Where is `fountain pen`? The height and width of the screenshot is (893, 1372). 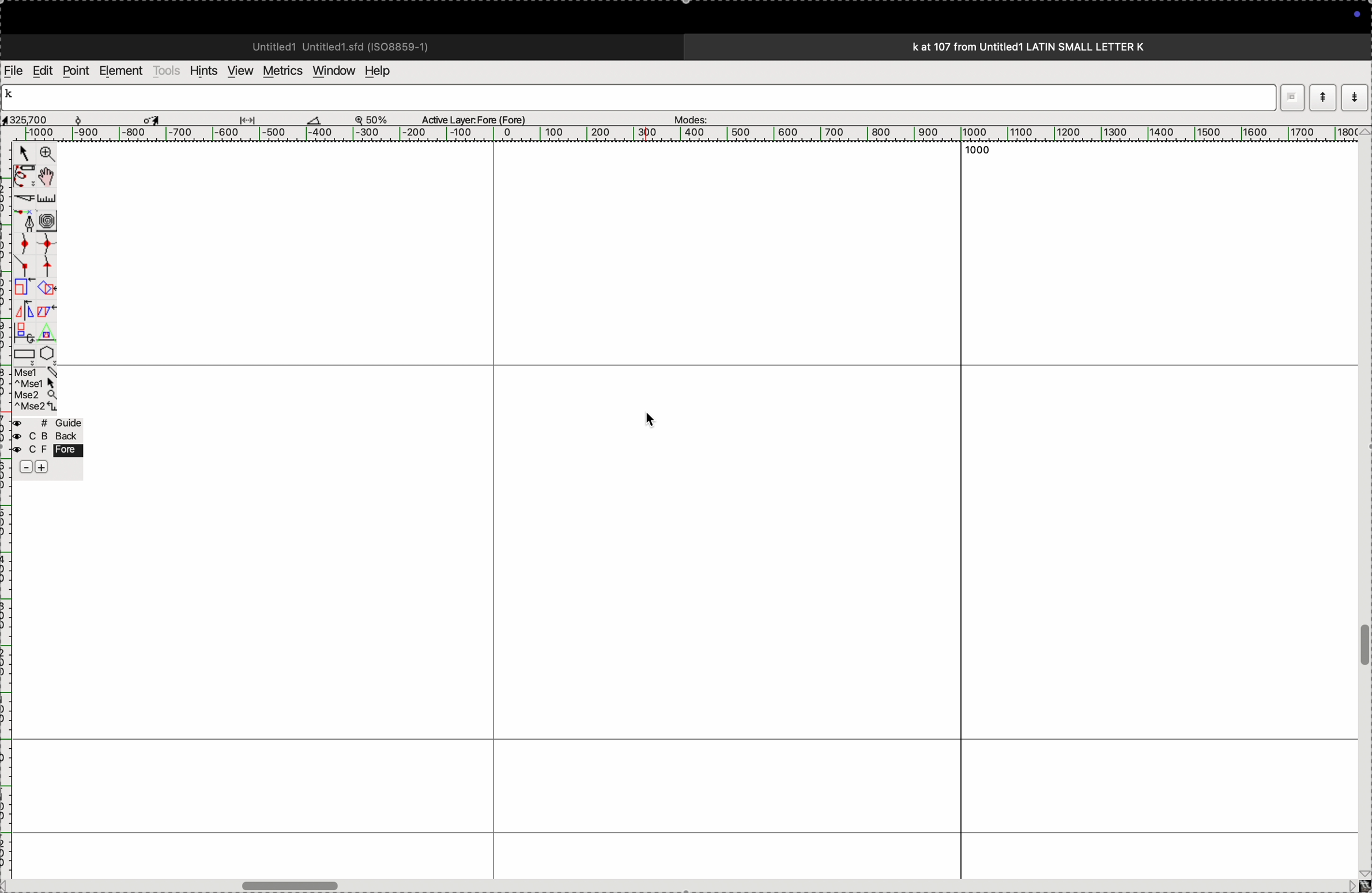 fountain pen is located at coordinates (28, 221).